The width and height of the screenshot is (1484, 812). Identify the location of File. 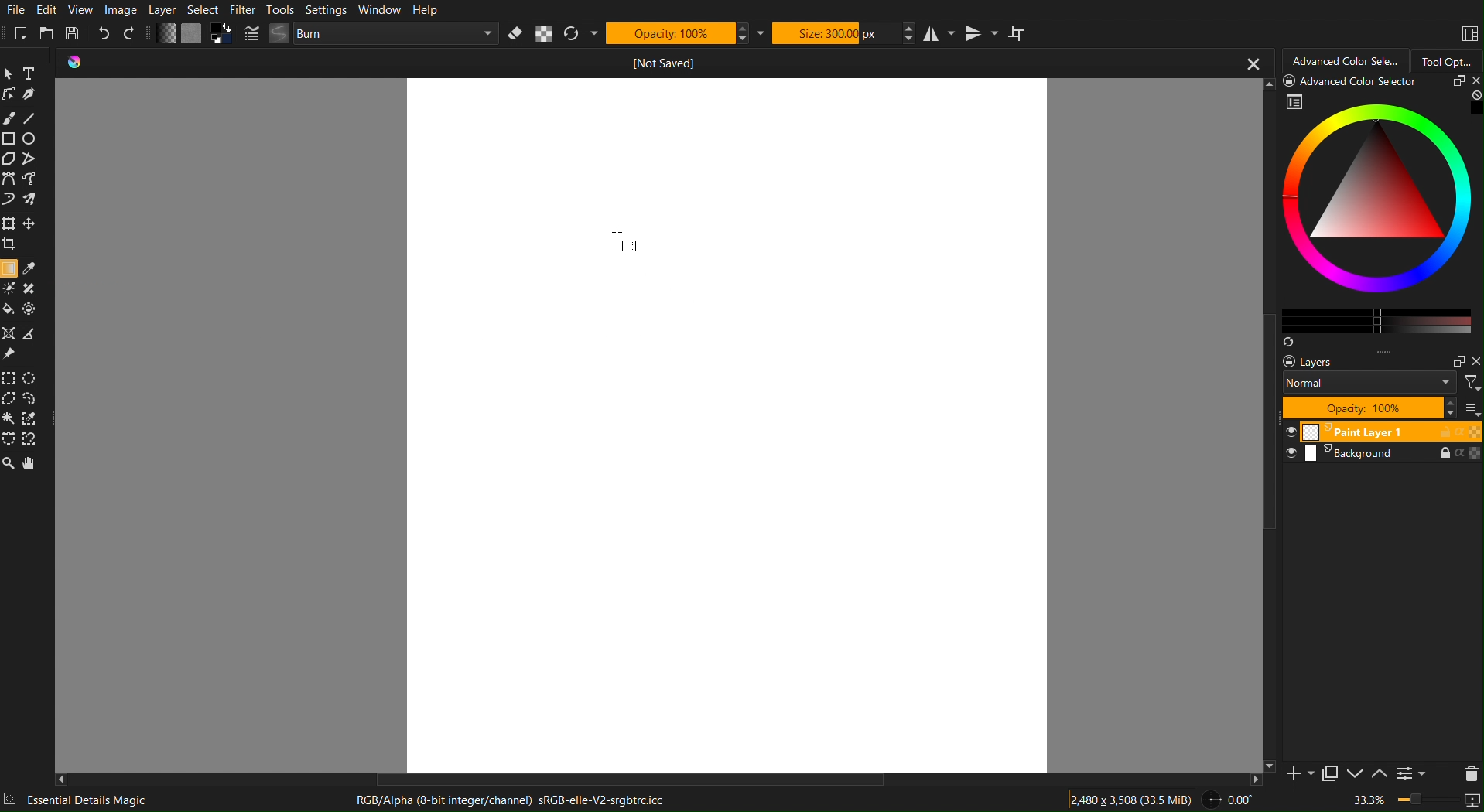
(15, 11).